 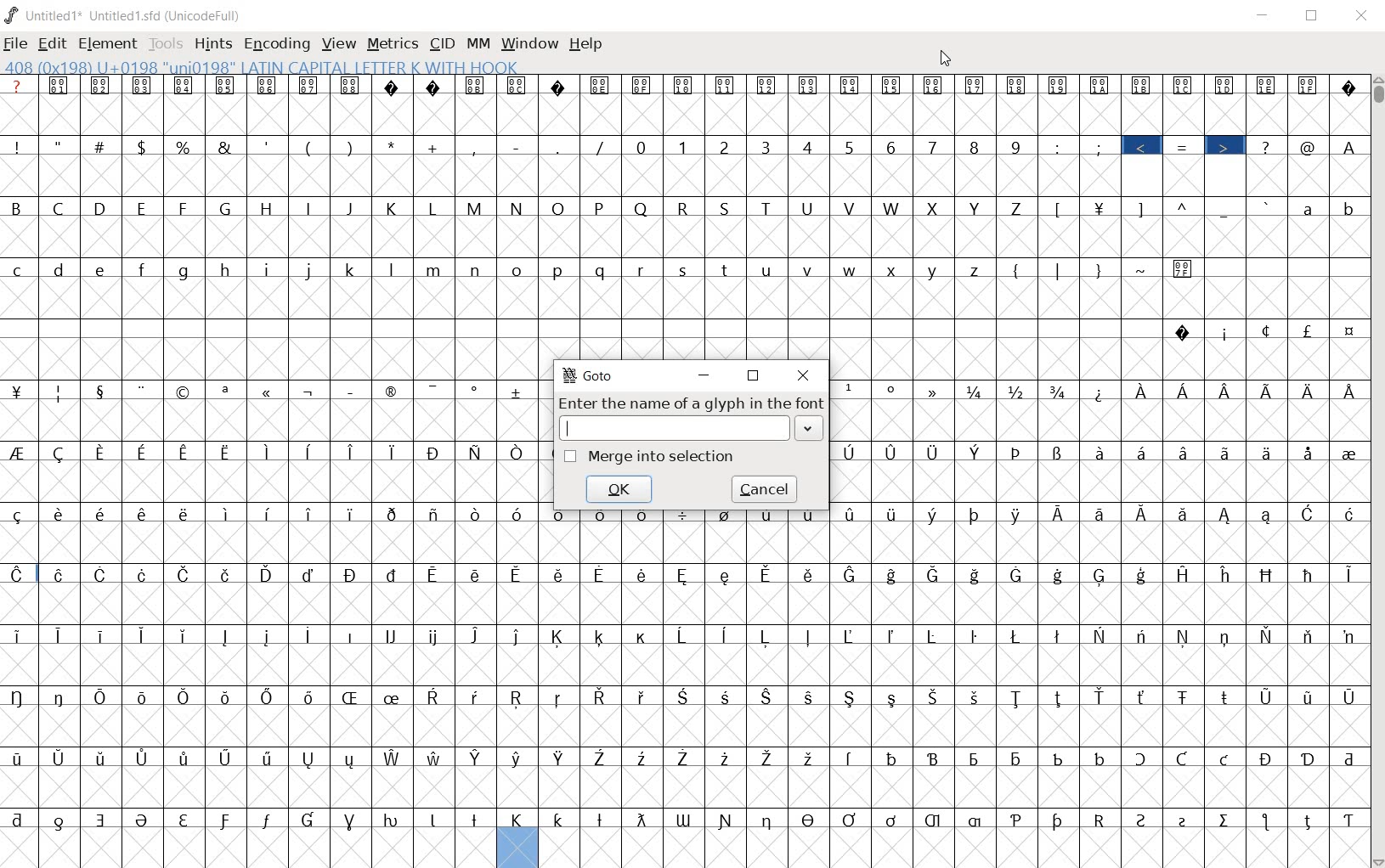 What do you see at coordinates (1184, 145) in the screenshot?
I see `=` at bounding box center [1184, 145].